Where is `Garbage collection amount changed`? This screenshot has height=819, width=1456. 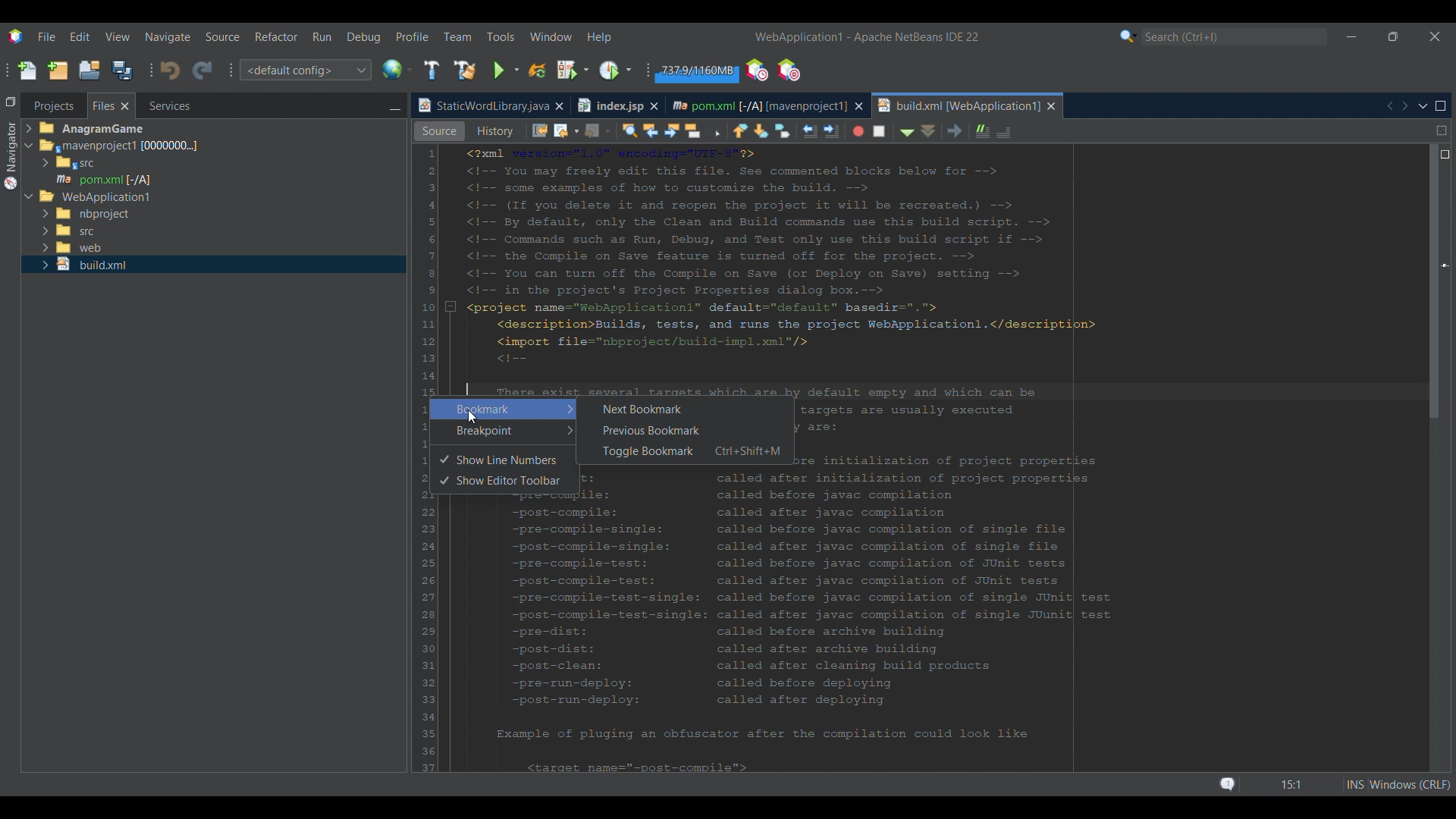
Garbage collection amount changed is located at coordinates (697, 73).